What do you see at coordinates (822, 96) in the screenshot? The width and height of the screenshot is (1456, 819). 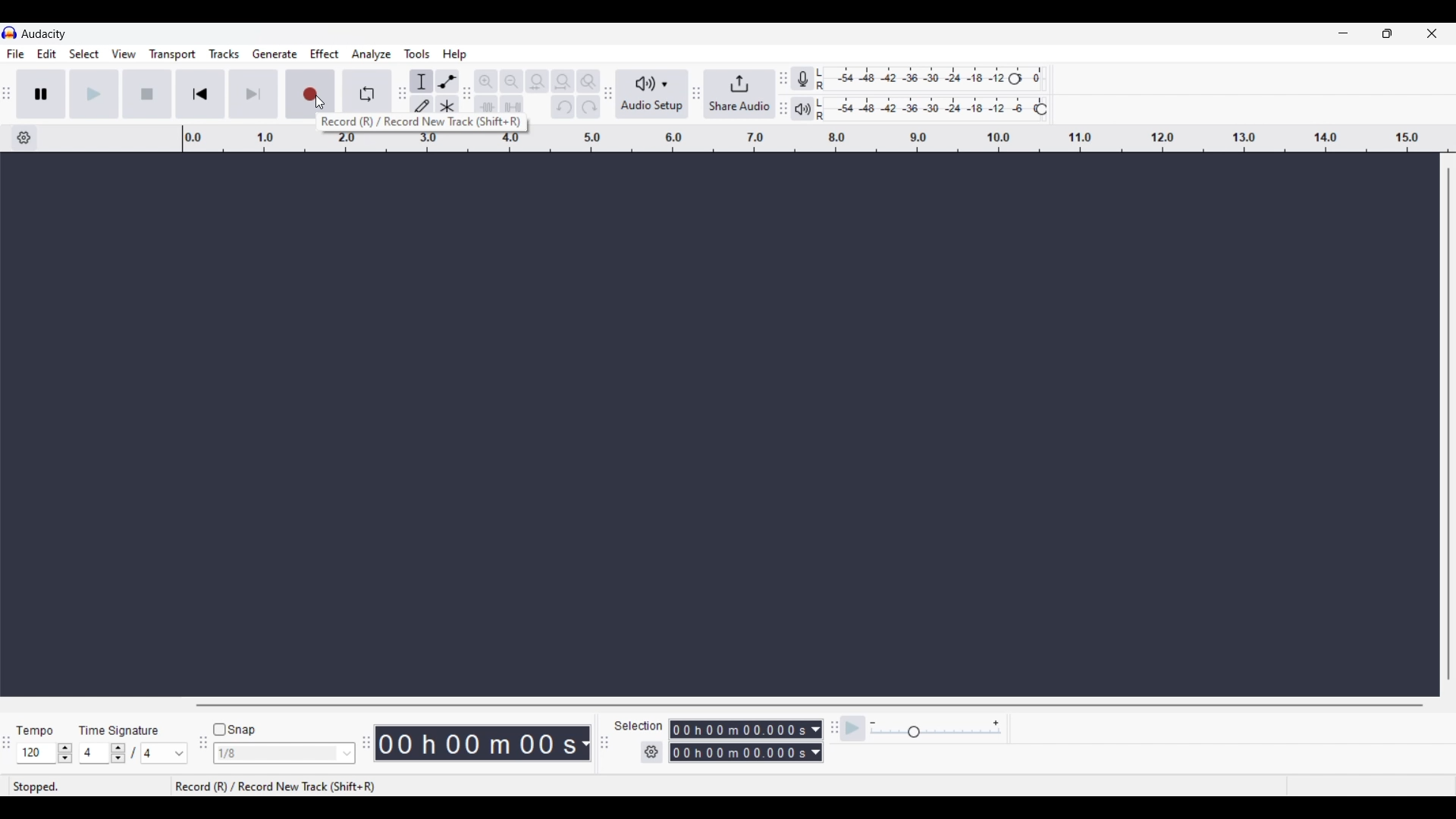 I see `L R L R` at bounding box center [822, 96].